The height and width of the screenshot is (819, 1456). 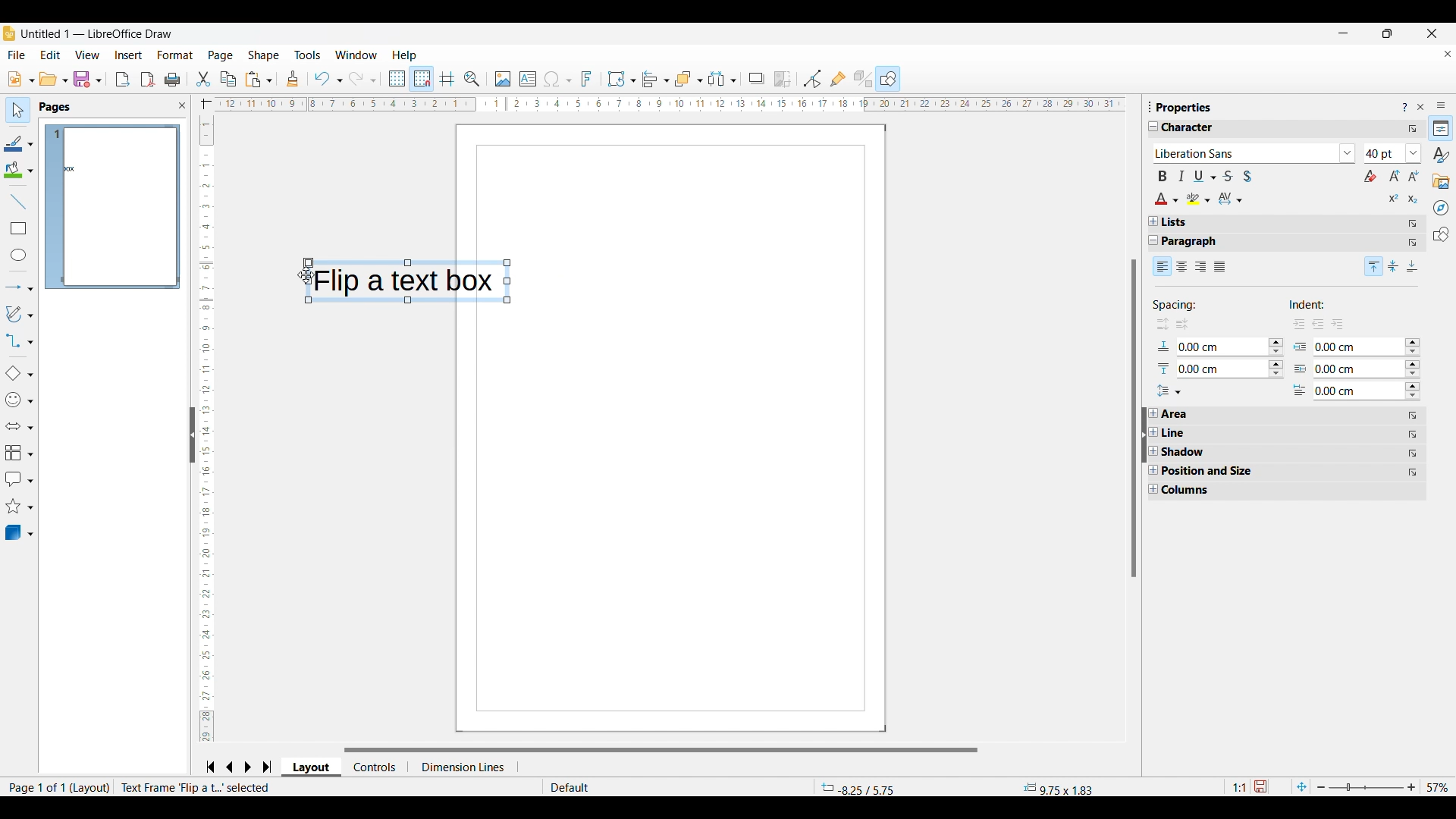 I want to click on Cut, so click(x=204, y=80).